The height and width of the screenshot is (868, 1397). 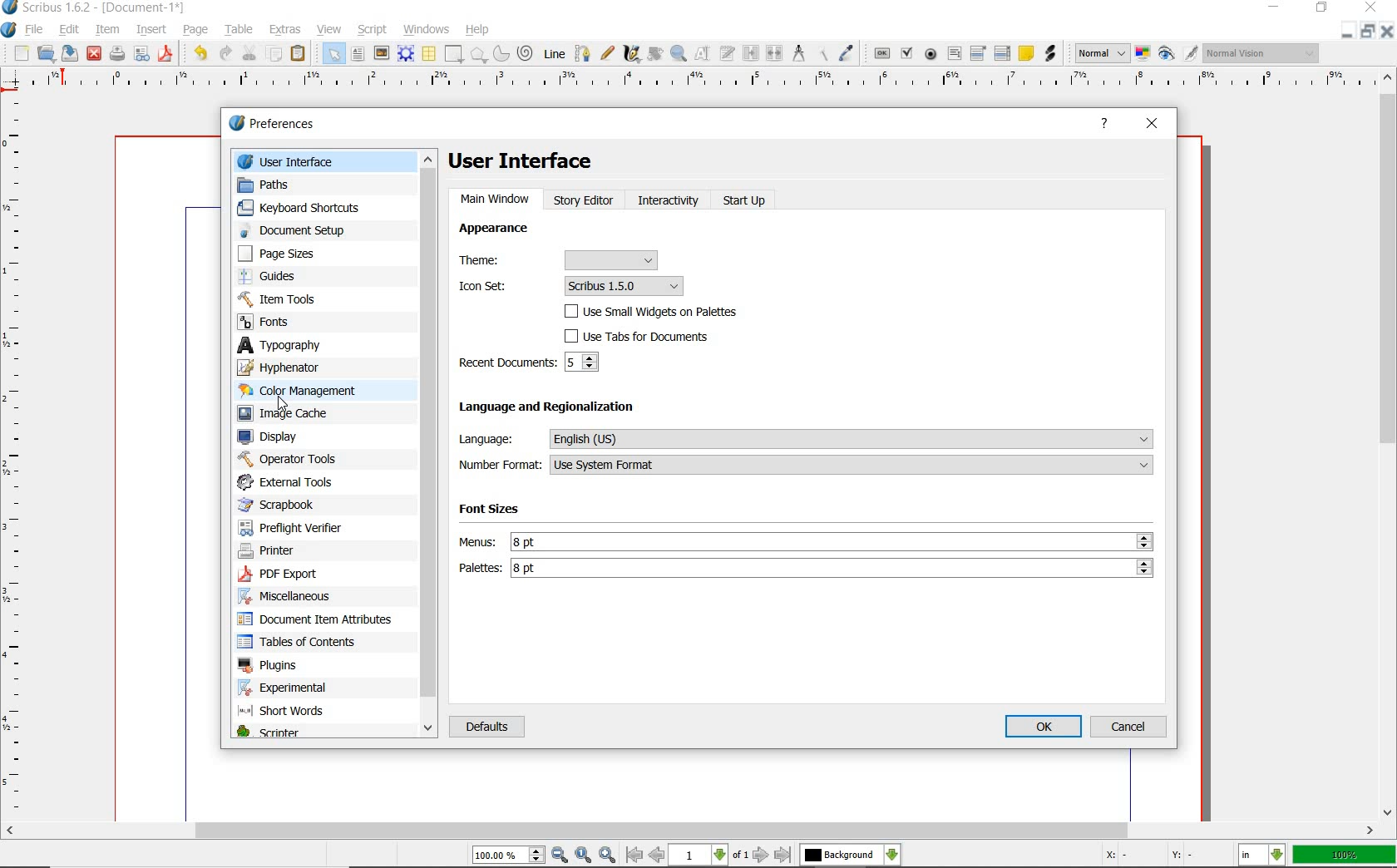 I want to click on operator tools, so click(x=297, y=459).